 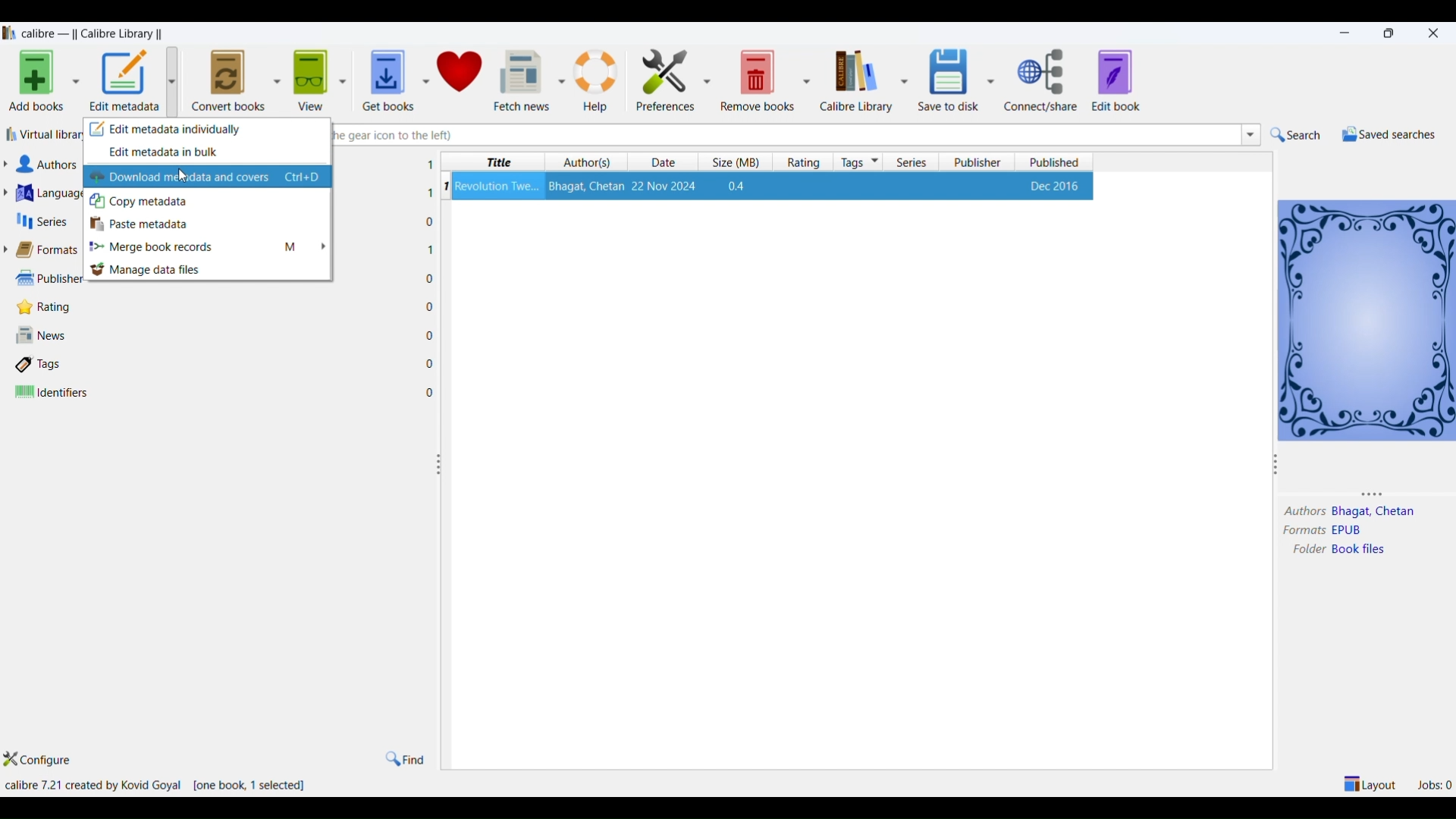 I want to click on EDIT BOOKS, so click(x=1131, y=82).